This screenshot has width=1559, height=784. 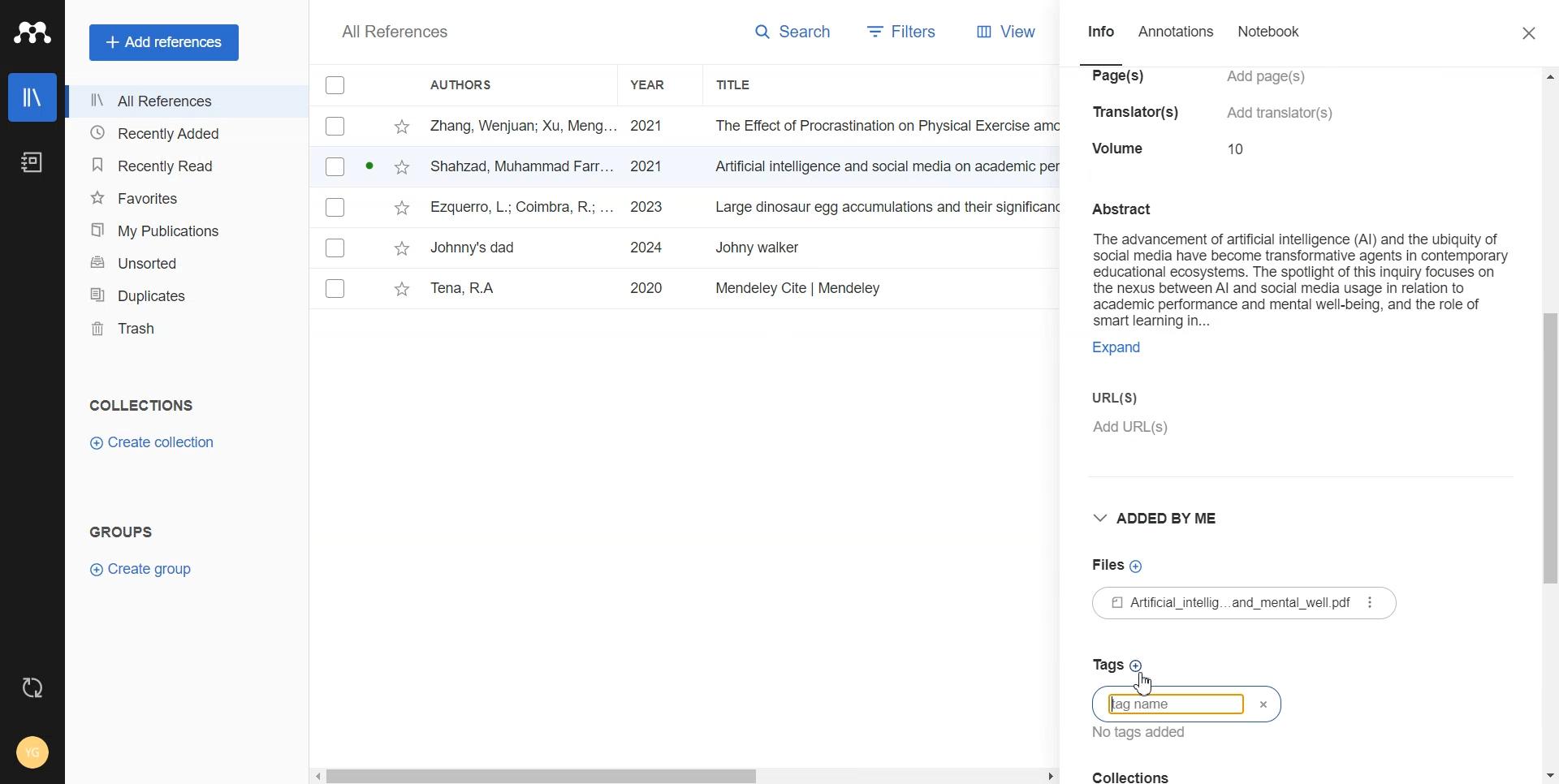 I want to click on File, so click(x=682, y=290).